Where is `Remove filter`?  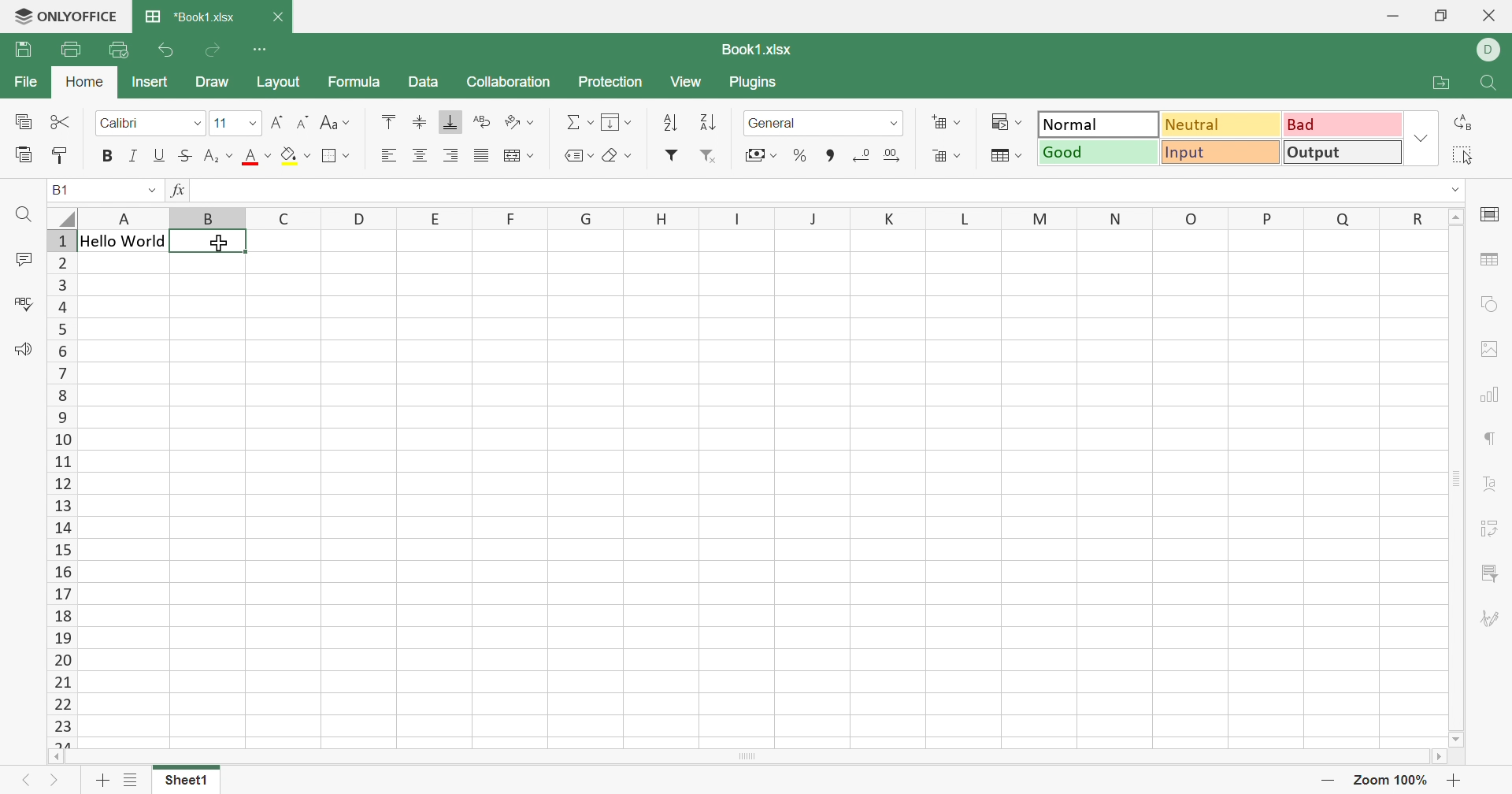
Remove filter is located at coordinates (708, 158).